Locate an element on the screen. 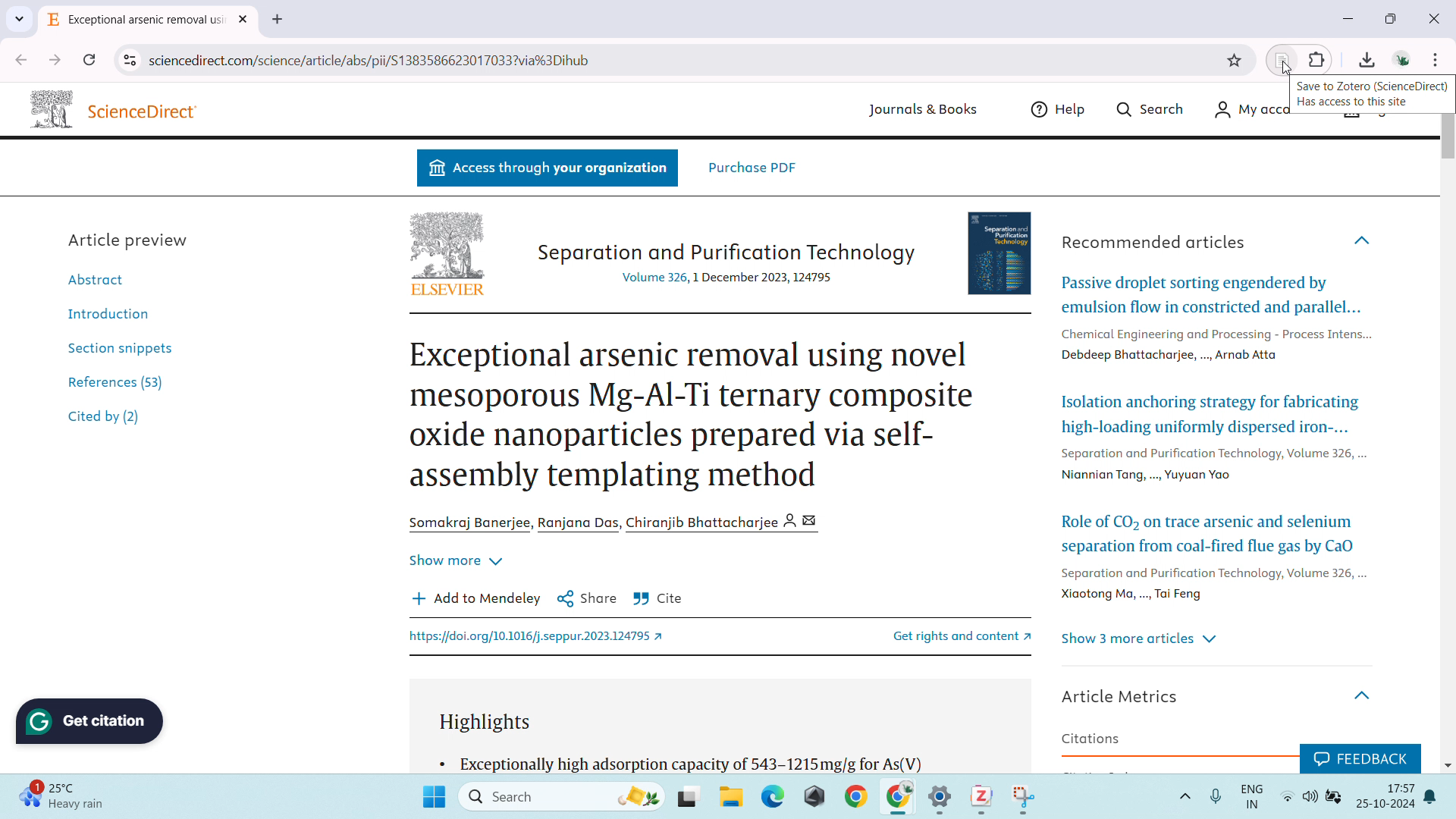 The width and height of the screenshot is (1456, 819). Show more is located at coordinates (455, 557).